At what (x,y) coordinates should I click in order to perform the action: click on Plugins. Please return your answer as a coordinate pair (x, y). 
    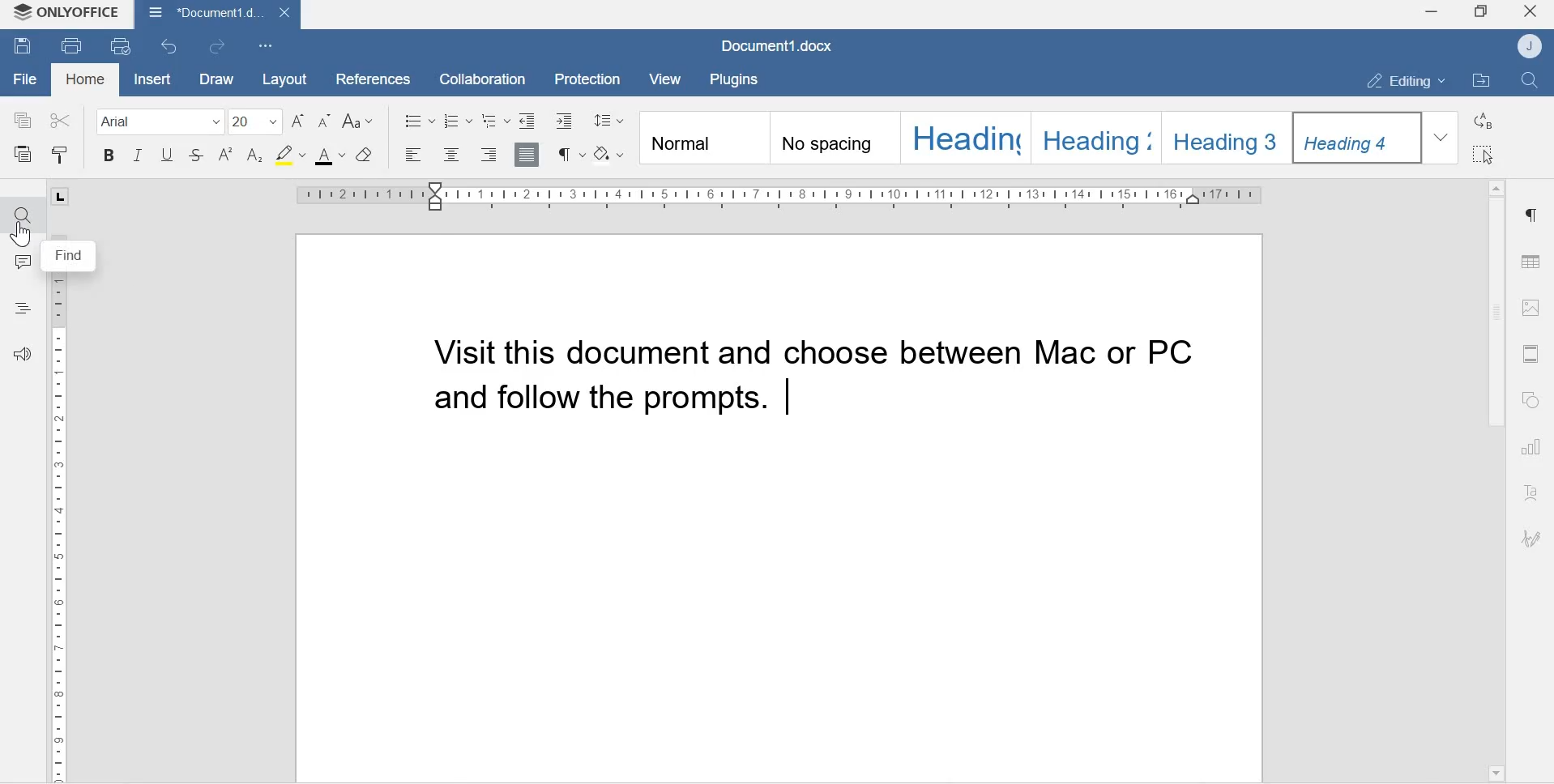
    Looking at the image, I should click on (738, 78).